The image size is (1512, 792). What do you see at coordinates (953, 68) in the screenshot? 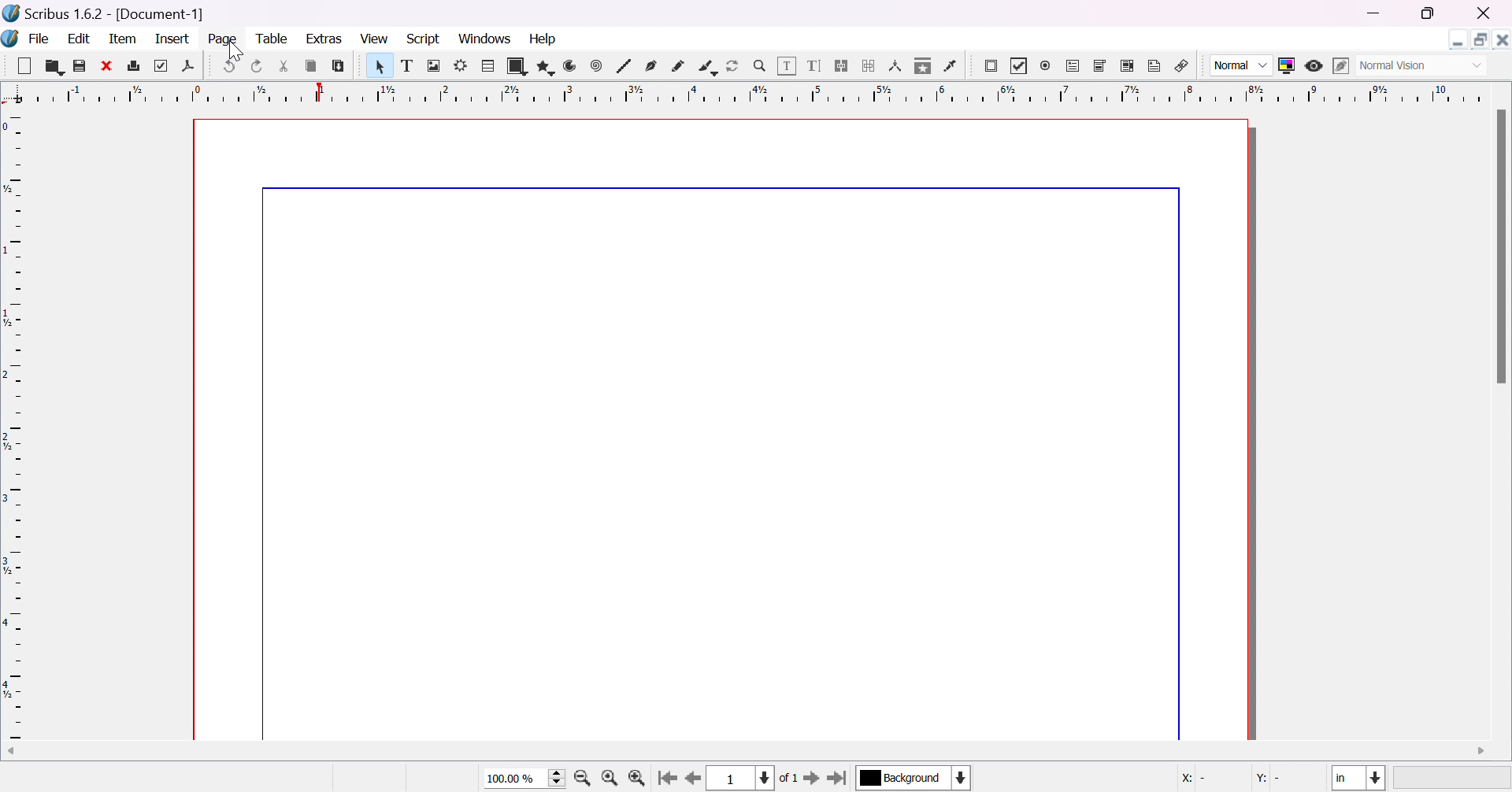
I see `eye dropper` at bounding box center [953, 68].